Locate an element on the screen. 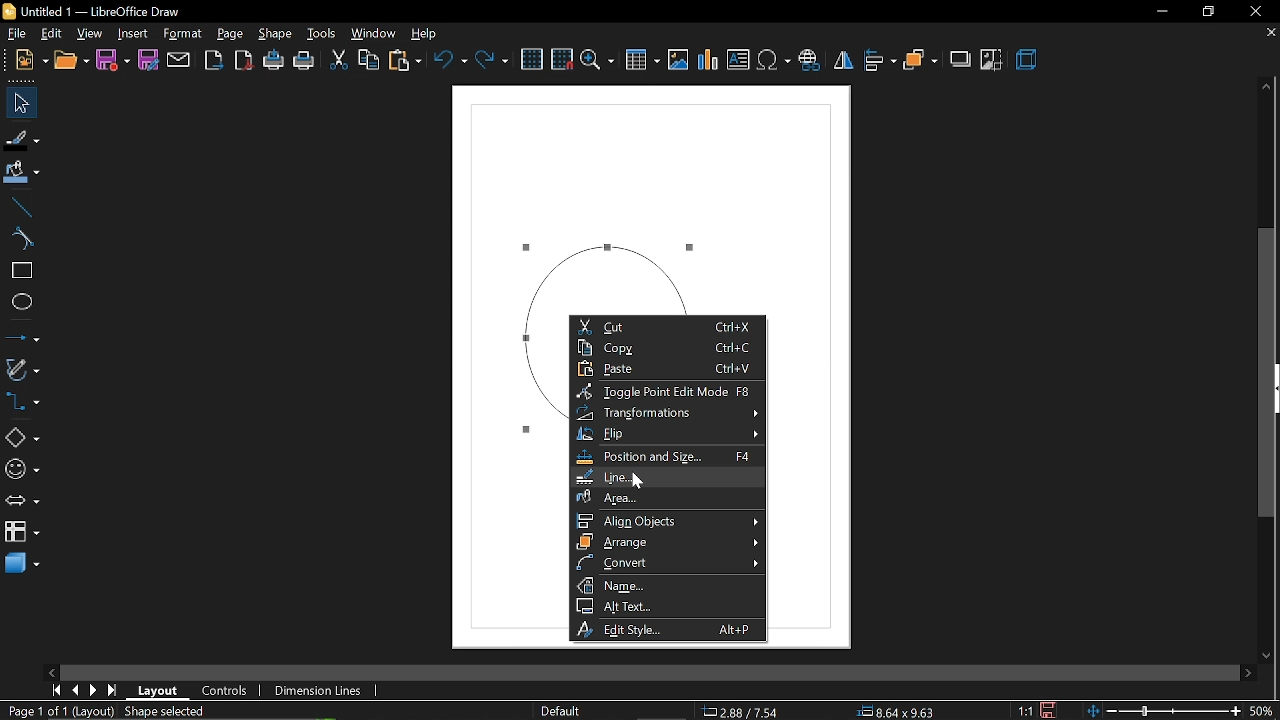 Image resolution: width=1280 pixels, height=720 pixels. shadow is located at coordinates (961, 59).